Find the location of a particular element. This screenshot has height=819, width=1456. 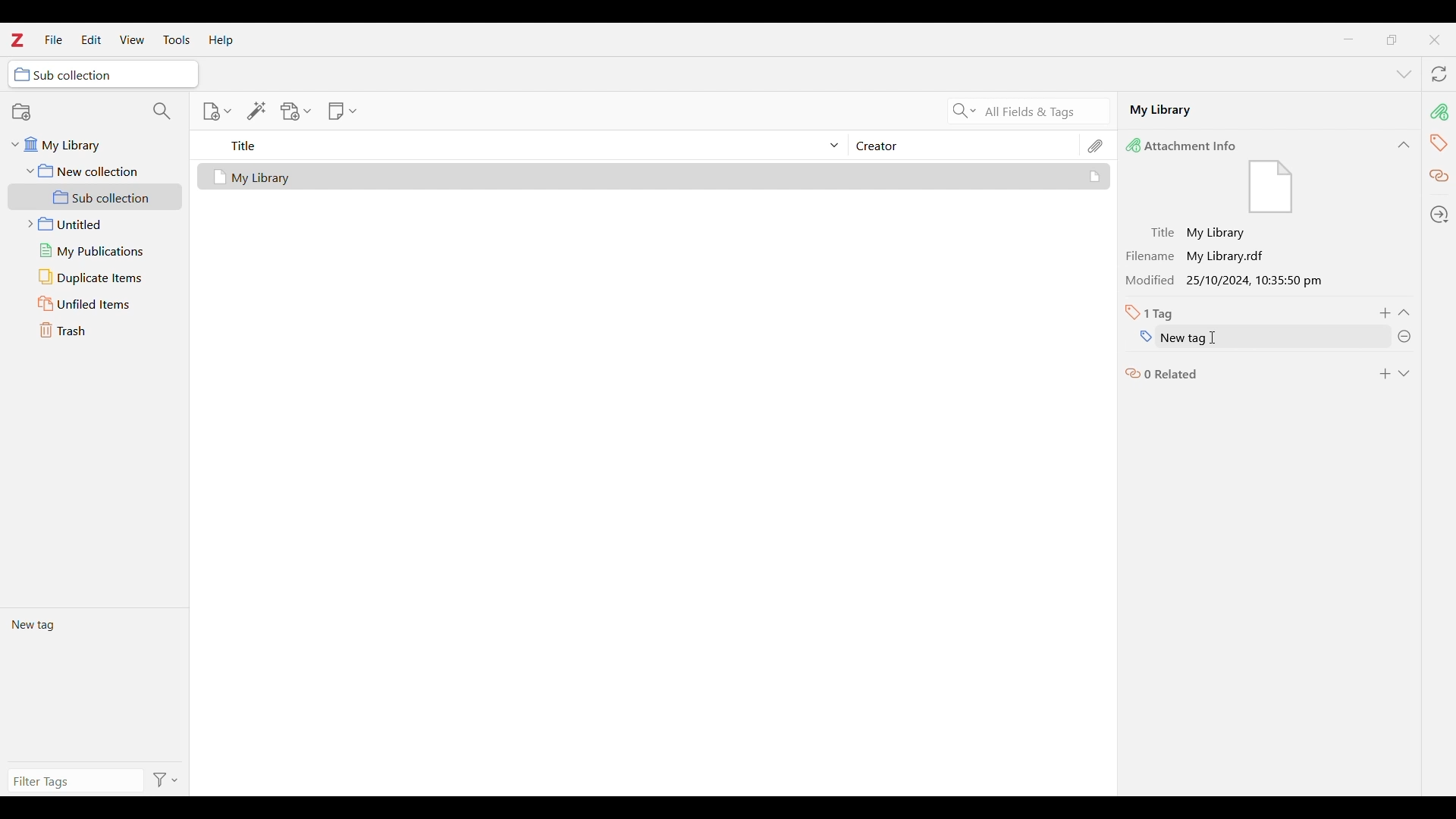

Untitled folder is located at coordinates (92, 222).